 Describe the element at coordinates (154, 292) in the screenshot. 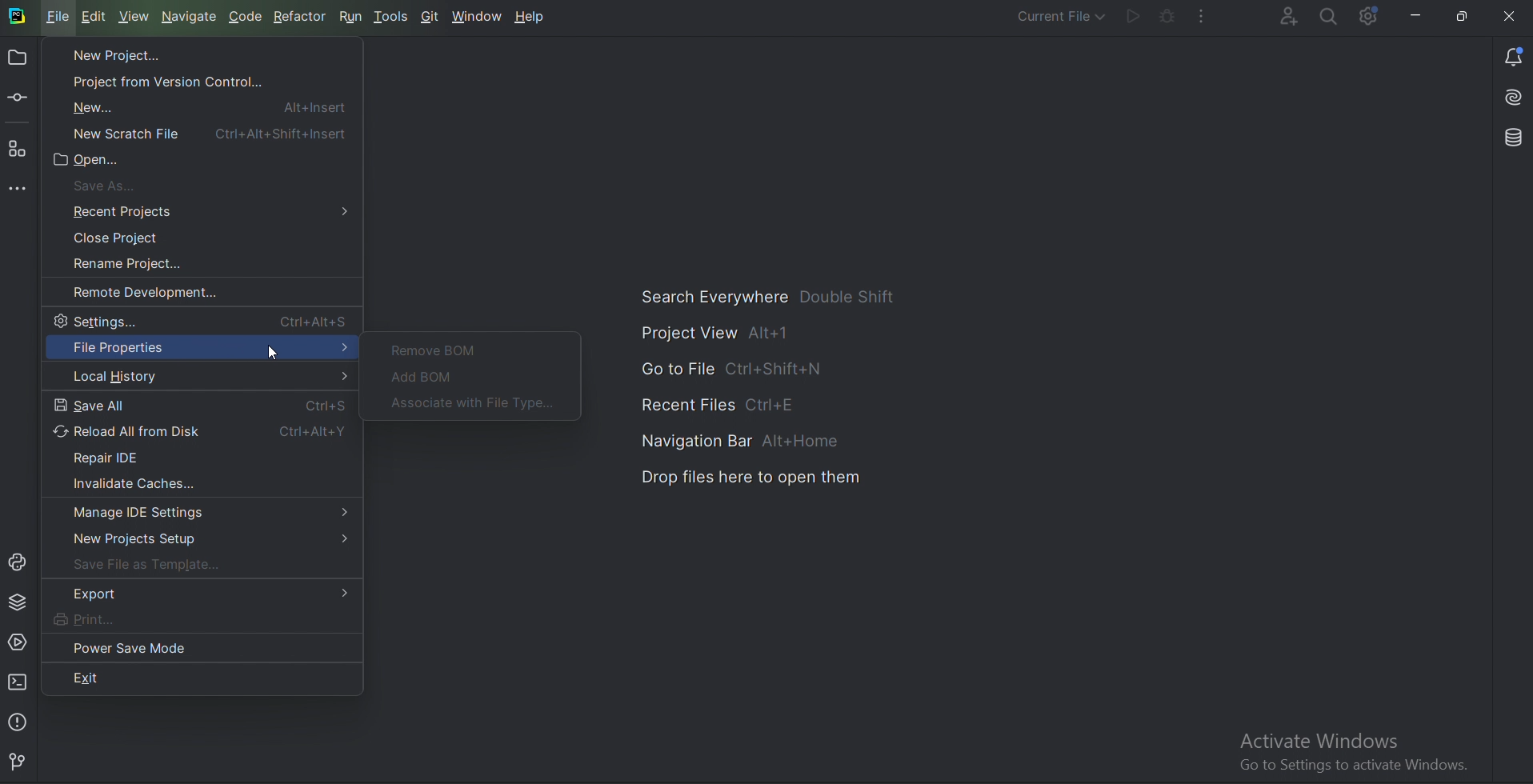

I see `Remote development` at that location.